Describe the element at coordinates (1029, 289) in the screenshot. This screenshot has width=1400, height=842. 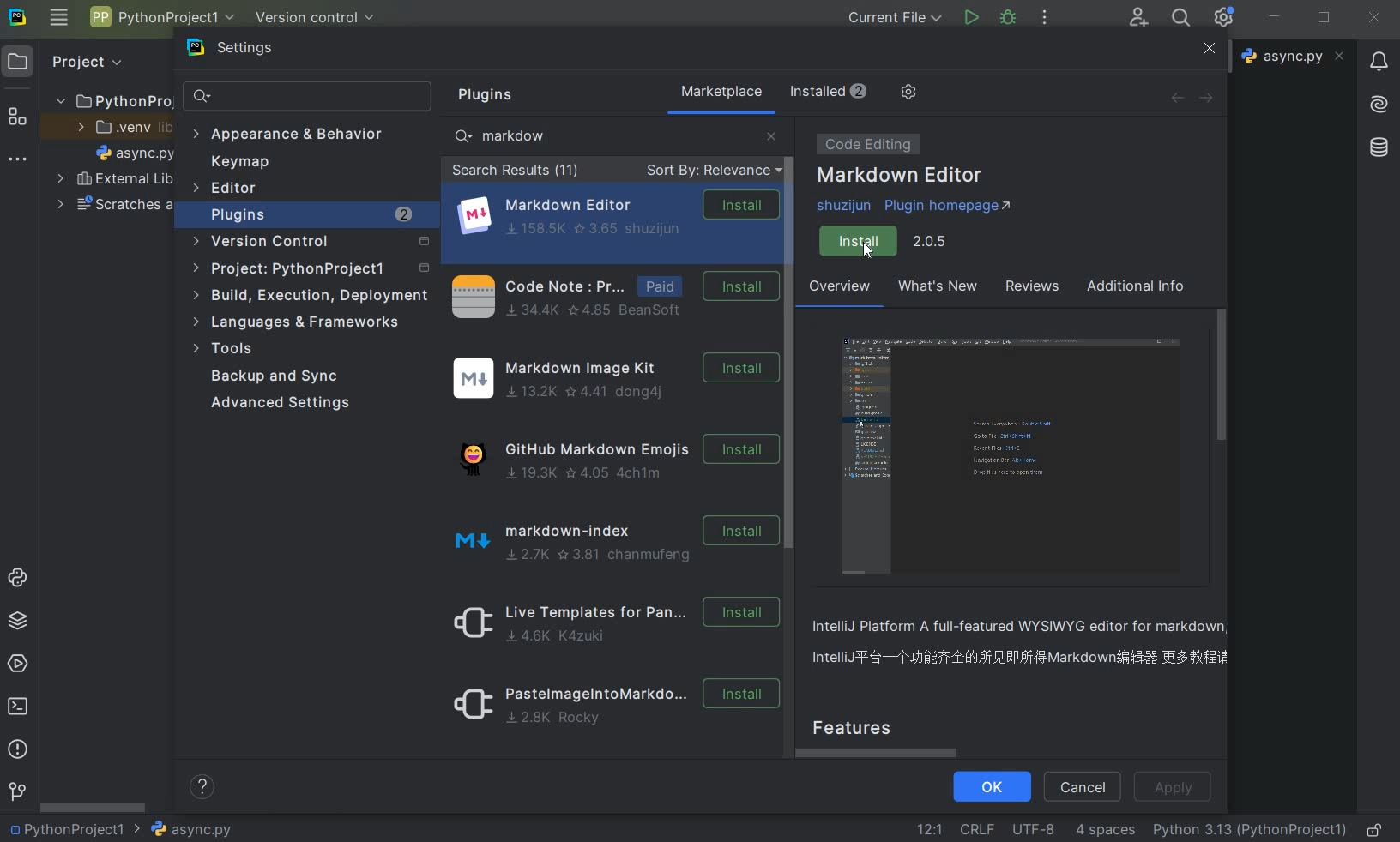
I see `reviews` at that location.